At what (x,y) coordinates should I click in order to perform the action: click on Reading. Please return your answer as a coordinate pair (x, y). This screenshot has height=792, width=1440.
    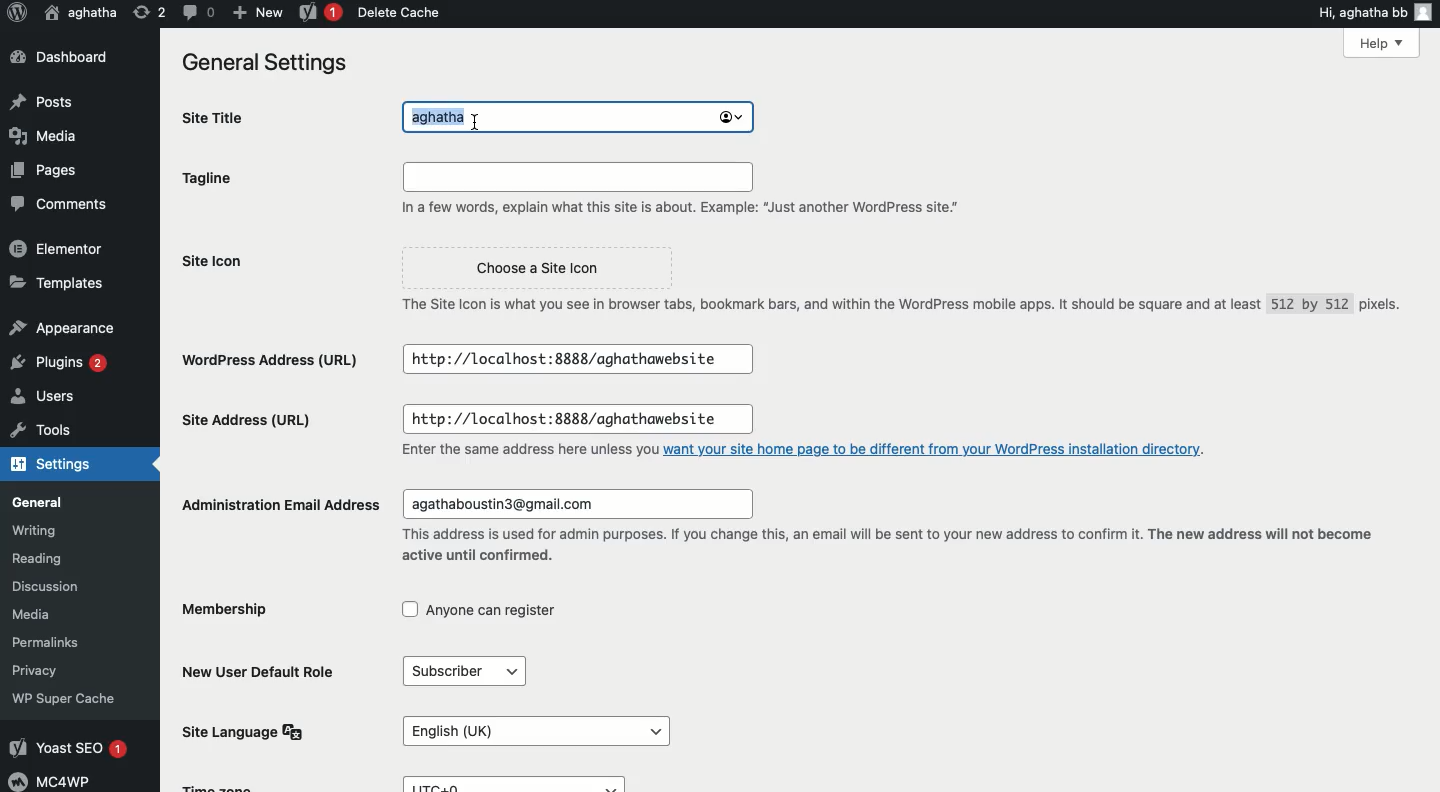
    Looking at the image, I should click on (38, 559).